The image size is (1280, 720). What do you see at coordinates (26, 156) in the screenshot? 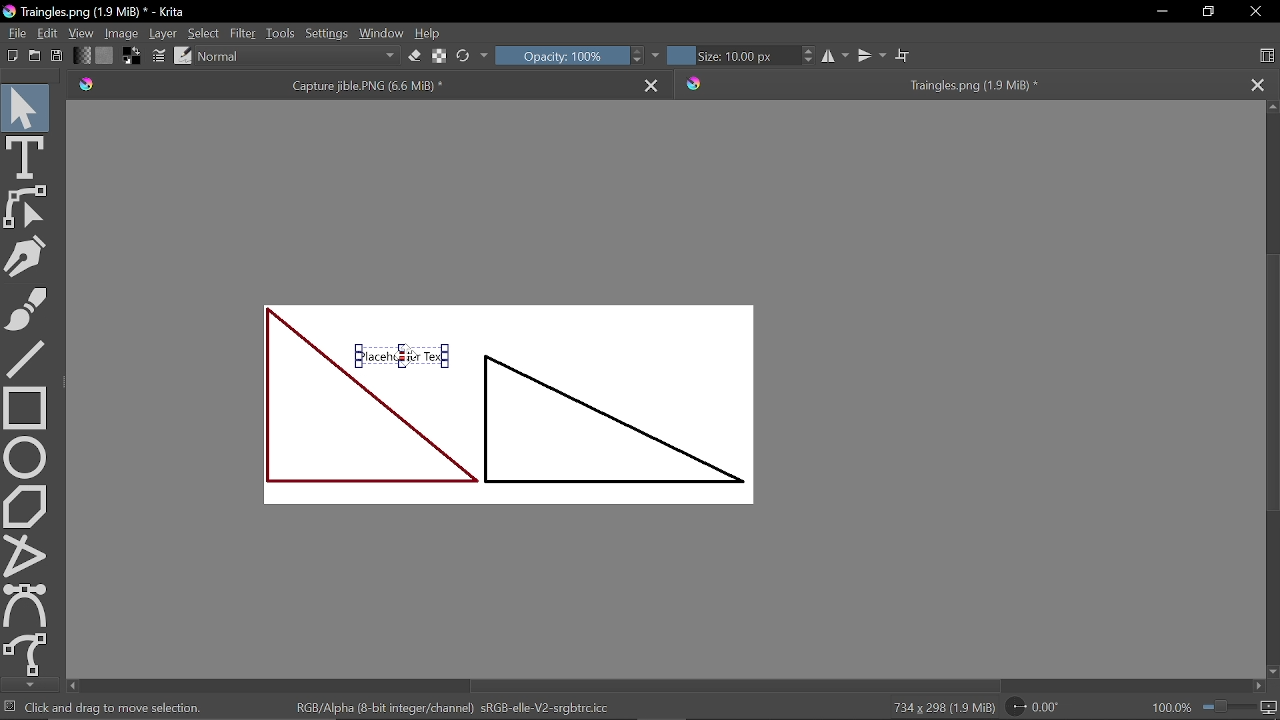
I see `Text tool` at bounding box center [26, 156].